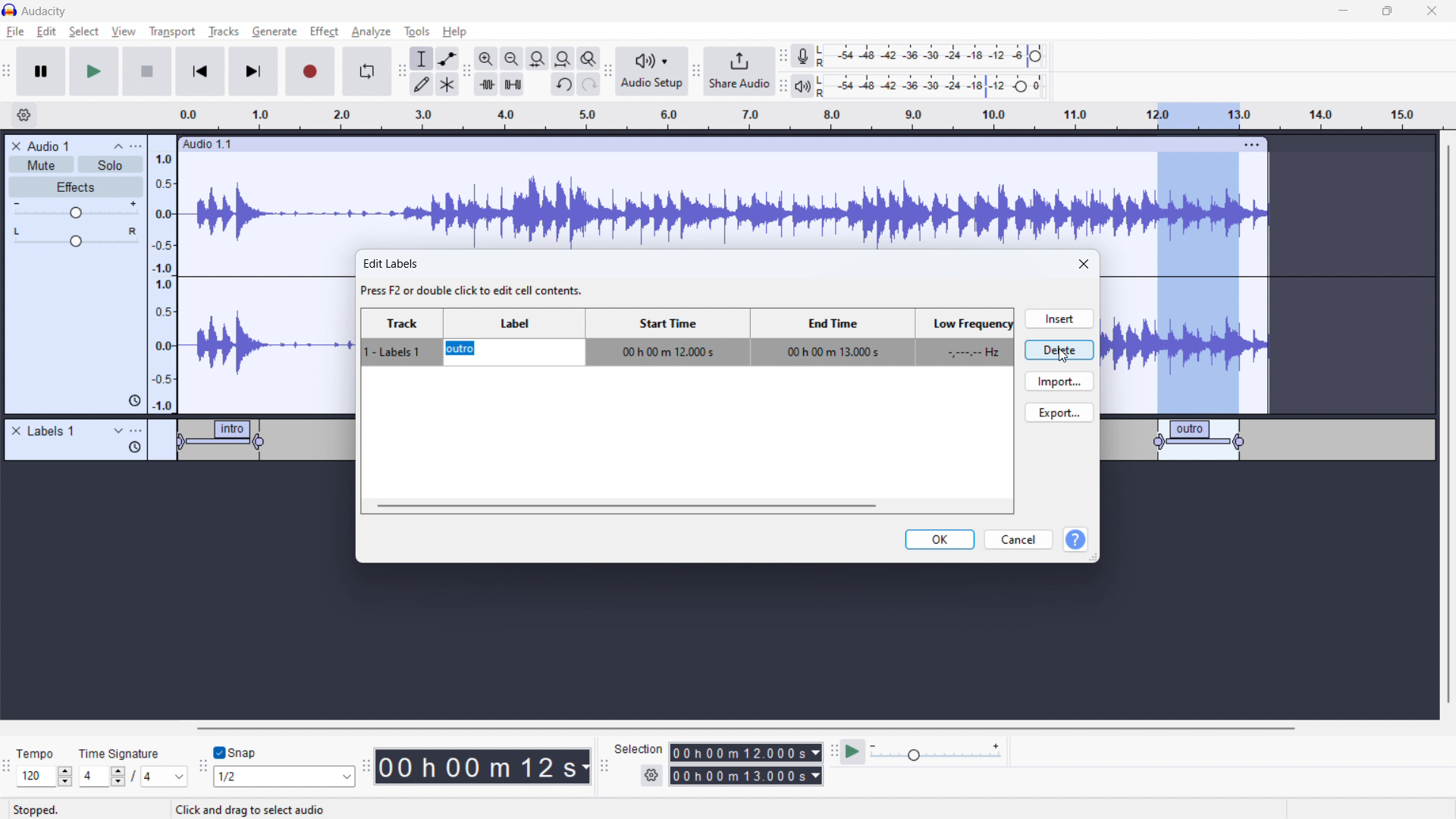 Image resolution: width=1456 pixels, height=819 pixels. What do you see at coordinates (134, 447) in the screenshot?
I see `history` at bounding box center [134, 447].